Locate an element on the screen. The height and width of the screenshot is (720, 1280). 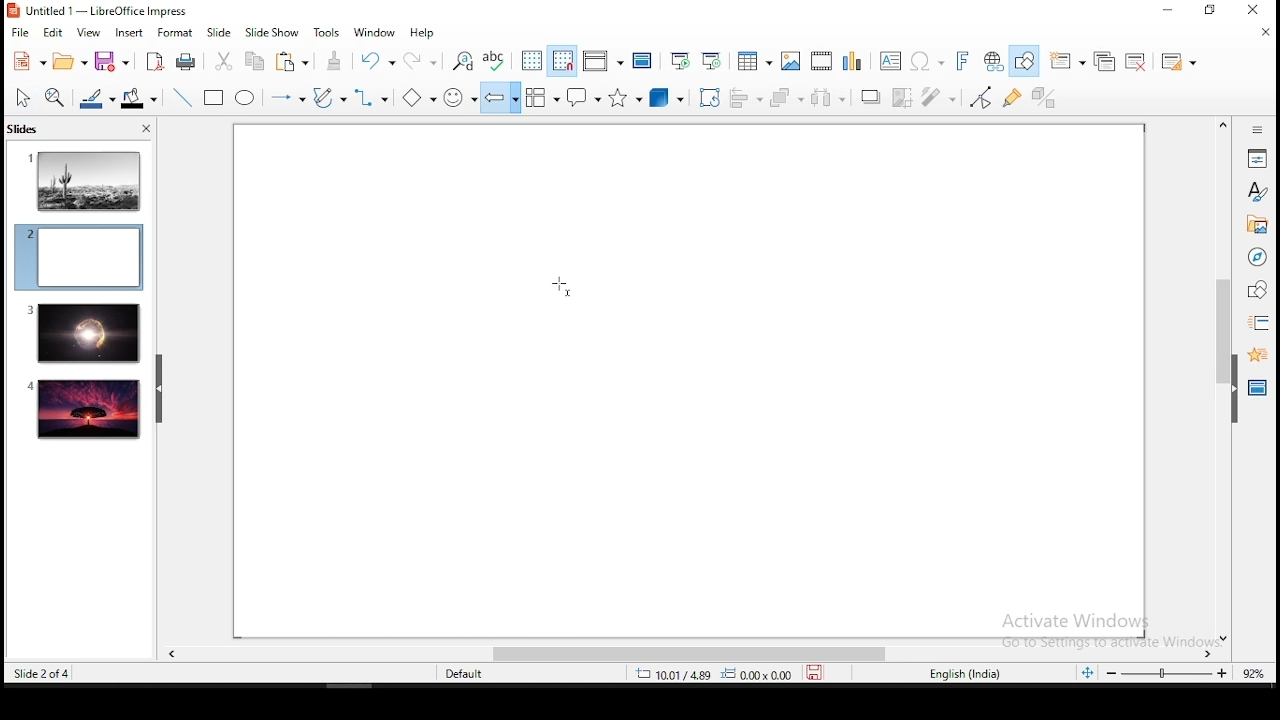
tools is located at coordinates (328, 33).